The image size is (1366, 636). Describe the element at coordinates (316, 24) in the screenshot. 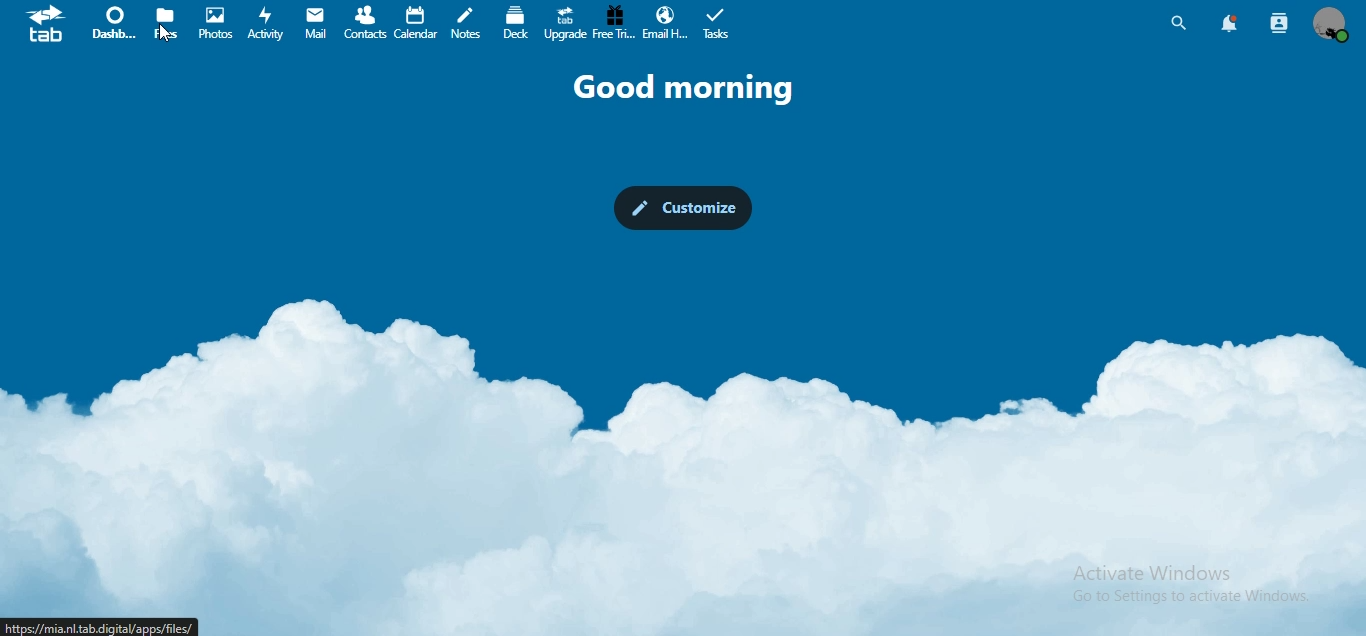

I see `mail` at that location.